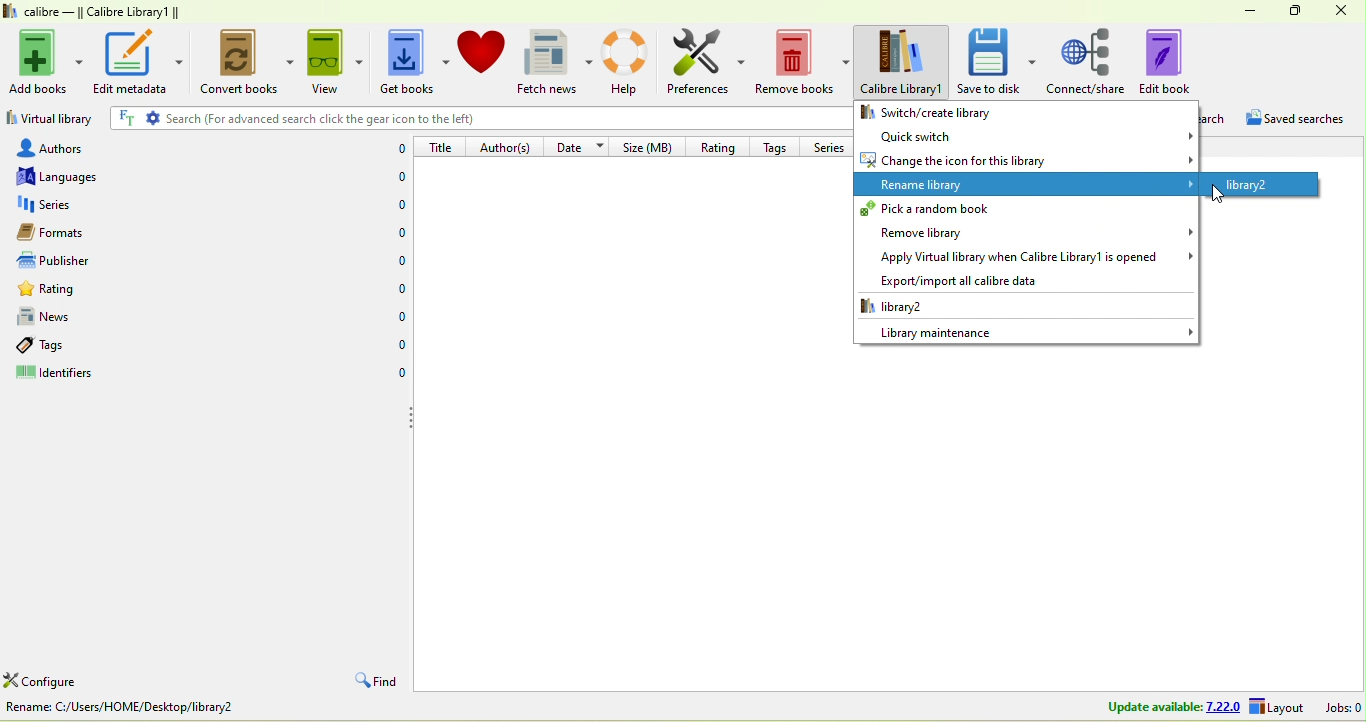  What do you see at coordinates (937, 306) in the screenshot?
I see `librery 2` at bounding box center [937, 306].